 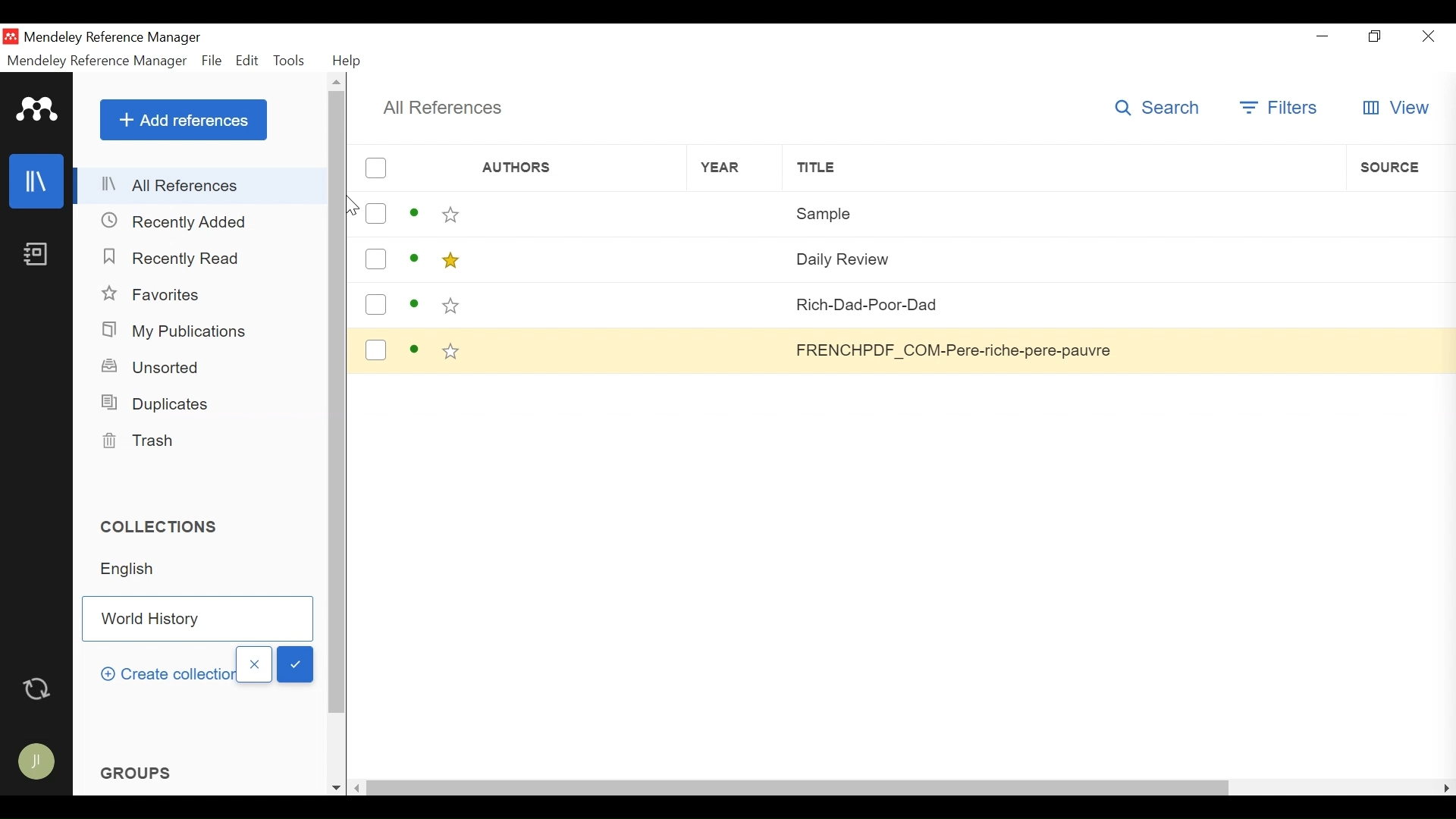 I want to click on Help, so click(x=347, y=61).